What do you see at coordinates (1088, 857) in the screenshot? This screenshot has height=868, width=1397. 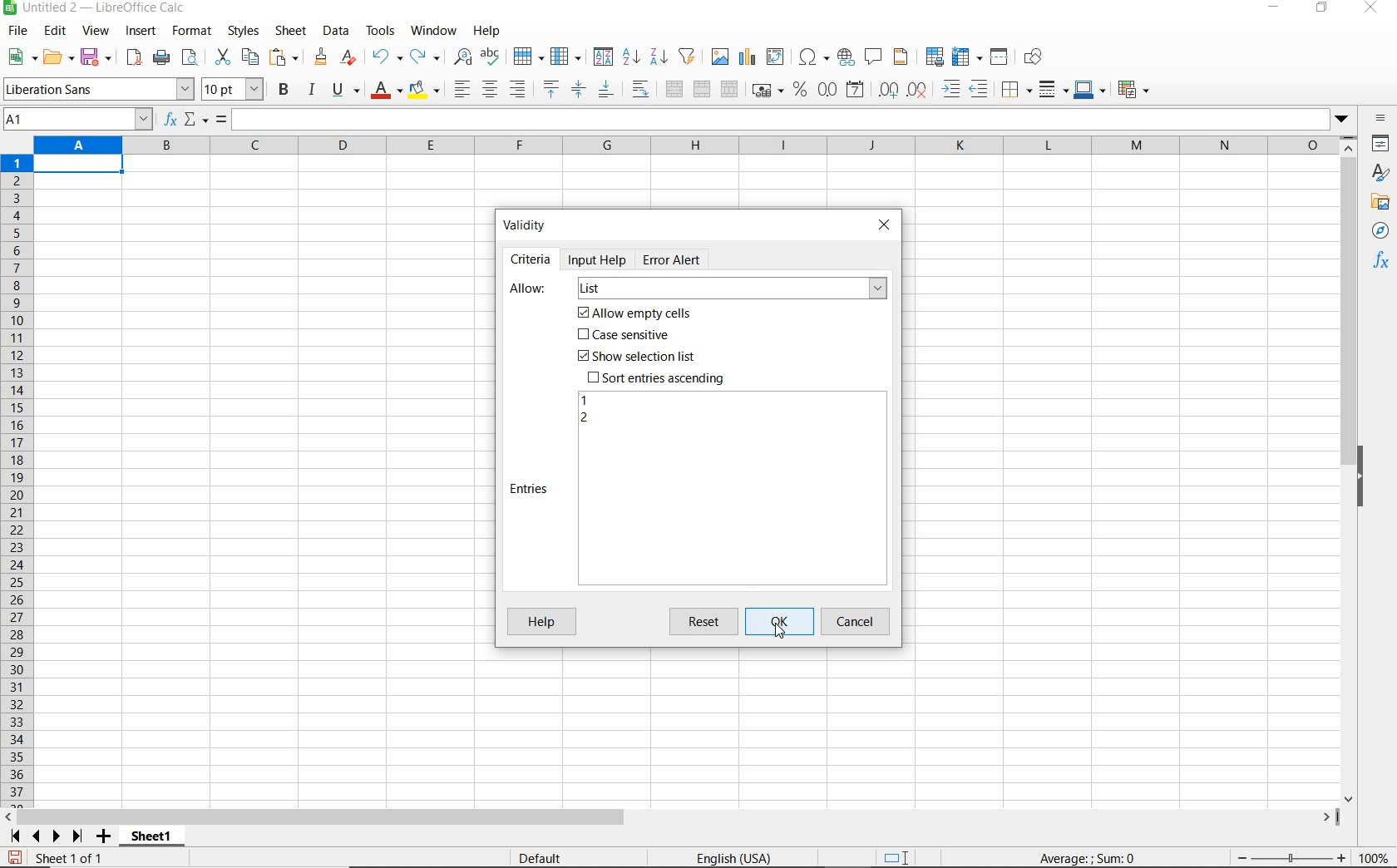 I see `formula` at bounding box center [1088, 857].